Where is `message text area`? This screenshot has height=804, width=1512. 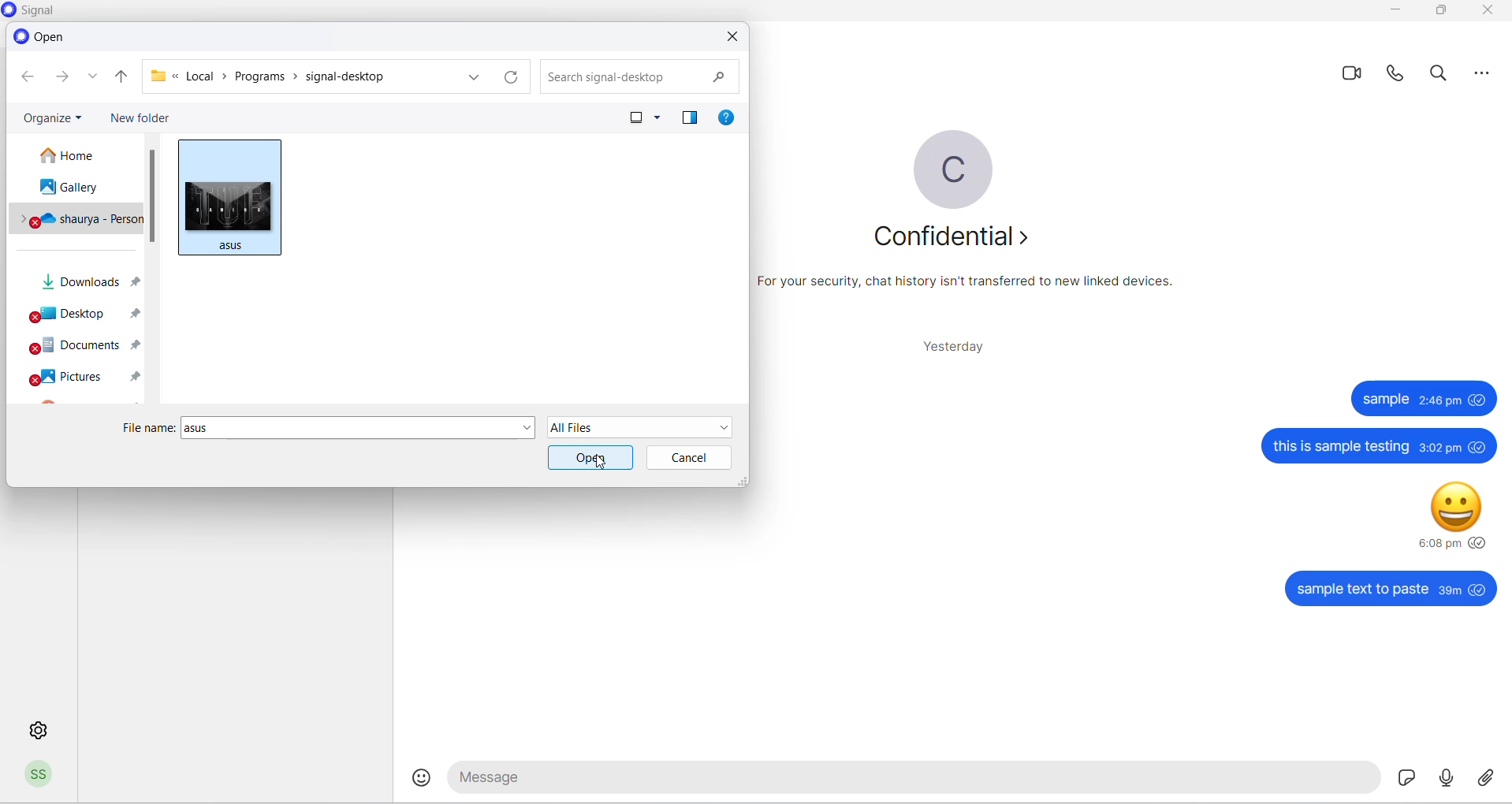 message text area is located at coordinates (909, 780).